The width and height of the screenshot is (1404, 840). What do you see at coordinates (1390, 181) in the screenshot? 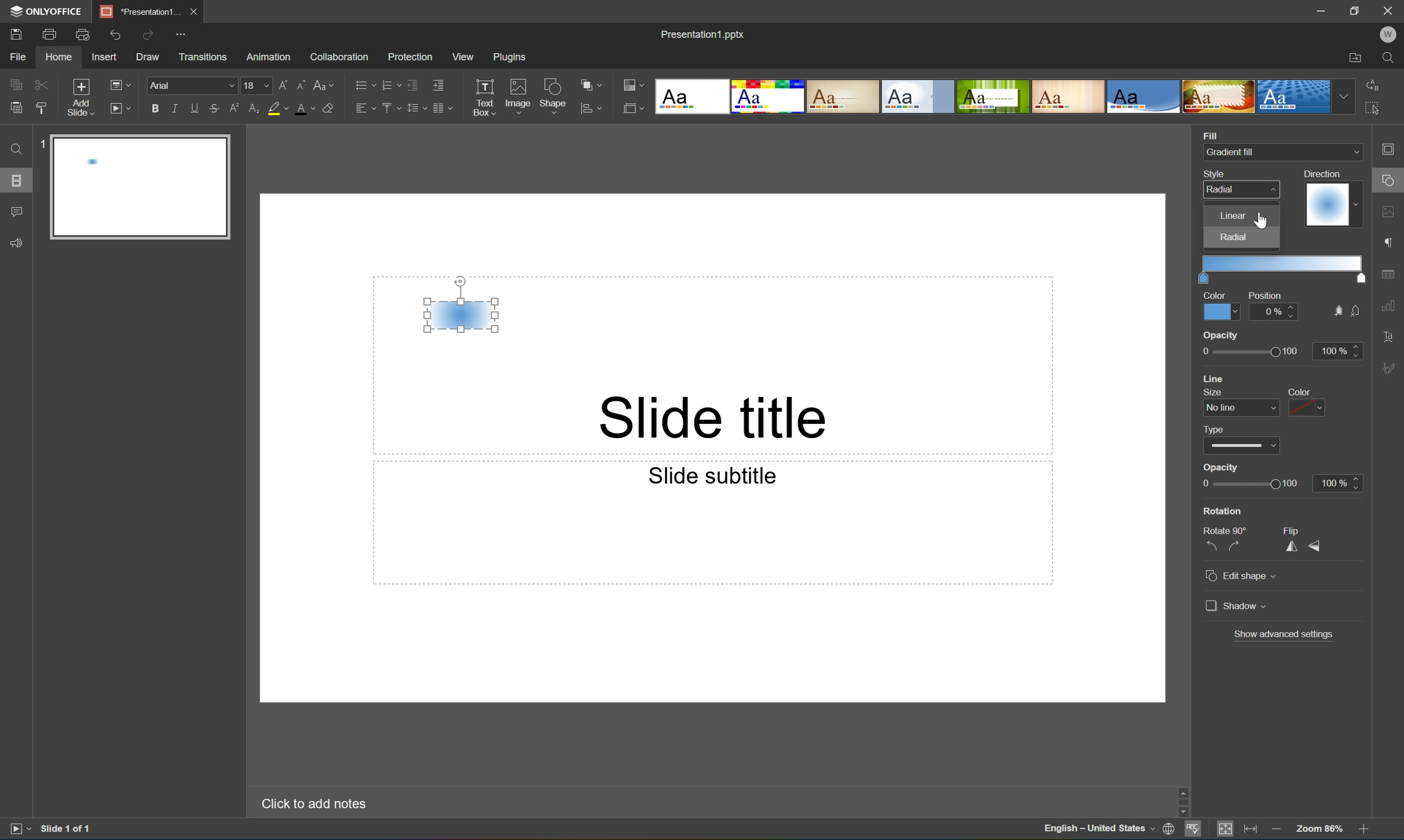
I see `shape settings` at bounding box center [1390, 181].